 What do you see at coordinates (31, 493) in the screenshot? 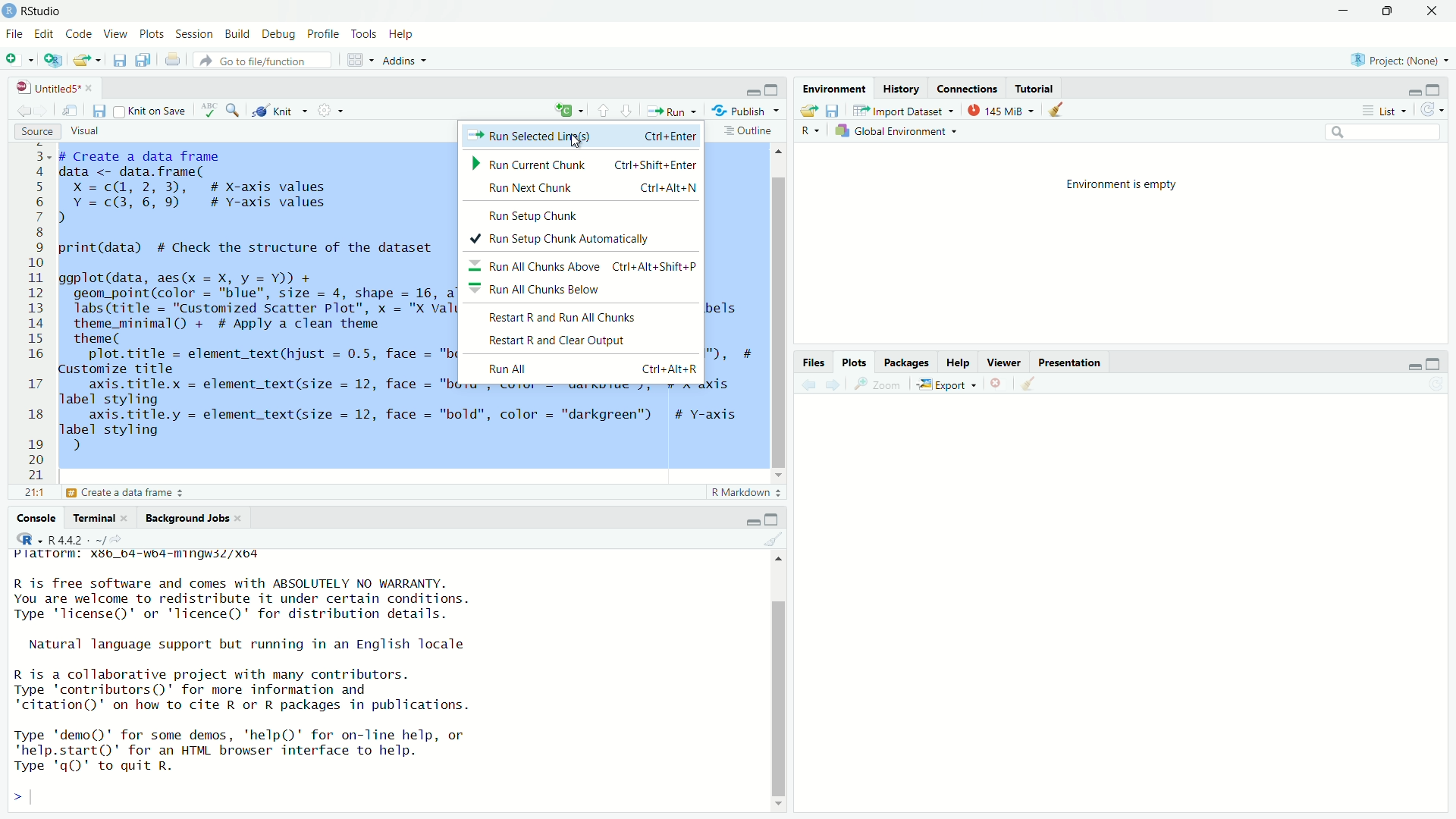
I see `2:1:1` at bounding box center [31, 493].